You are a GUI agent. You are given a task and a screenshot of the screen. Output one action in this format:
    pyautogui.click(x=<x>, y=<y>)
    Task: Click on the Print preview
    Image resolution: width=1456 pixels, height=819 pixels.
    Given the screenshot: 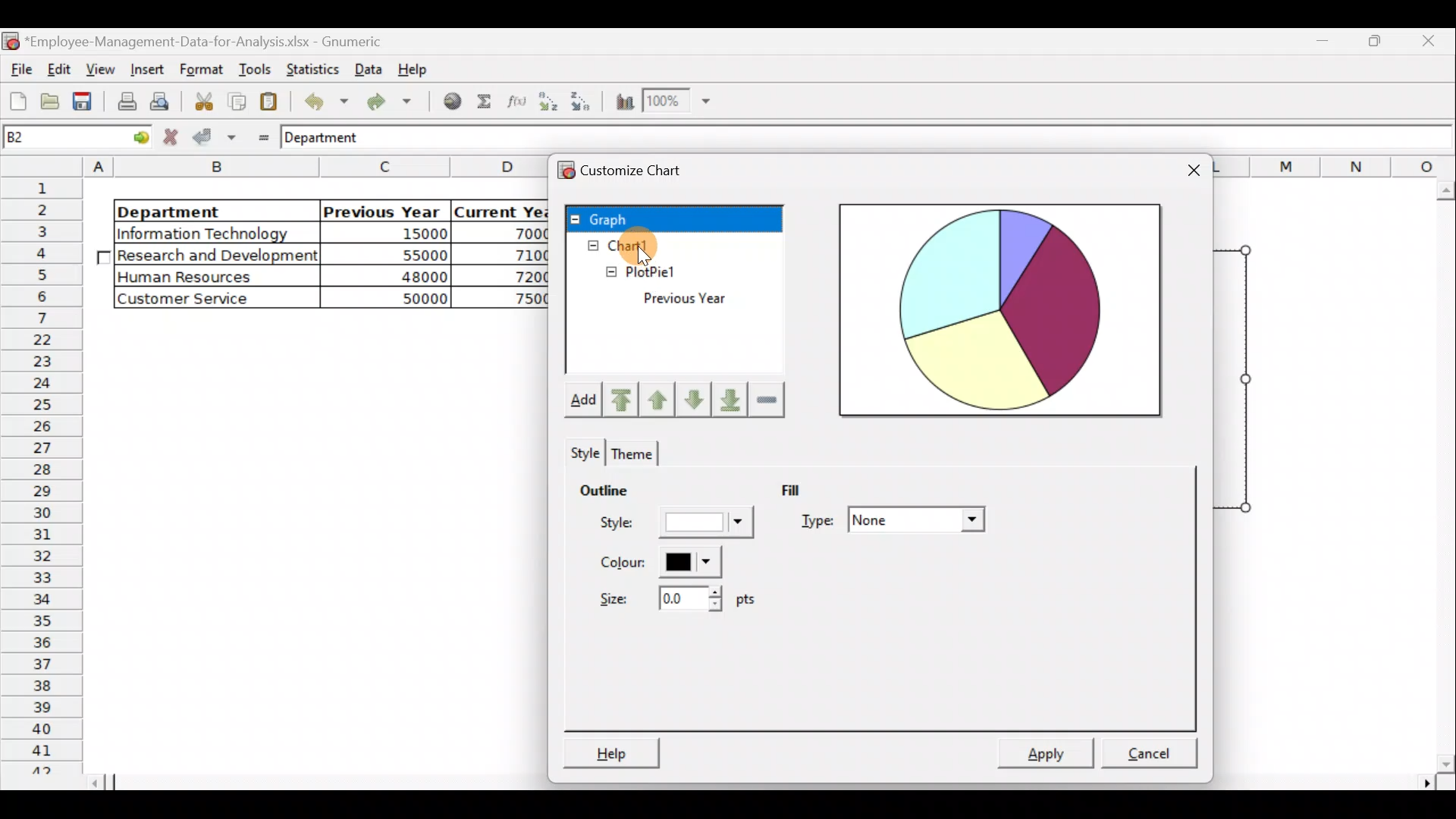 What is the action you would take?
    pyautogui.click(x=163, y=101)
    